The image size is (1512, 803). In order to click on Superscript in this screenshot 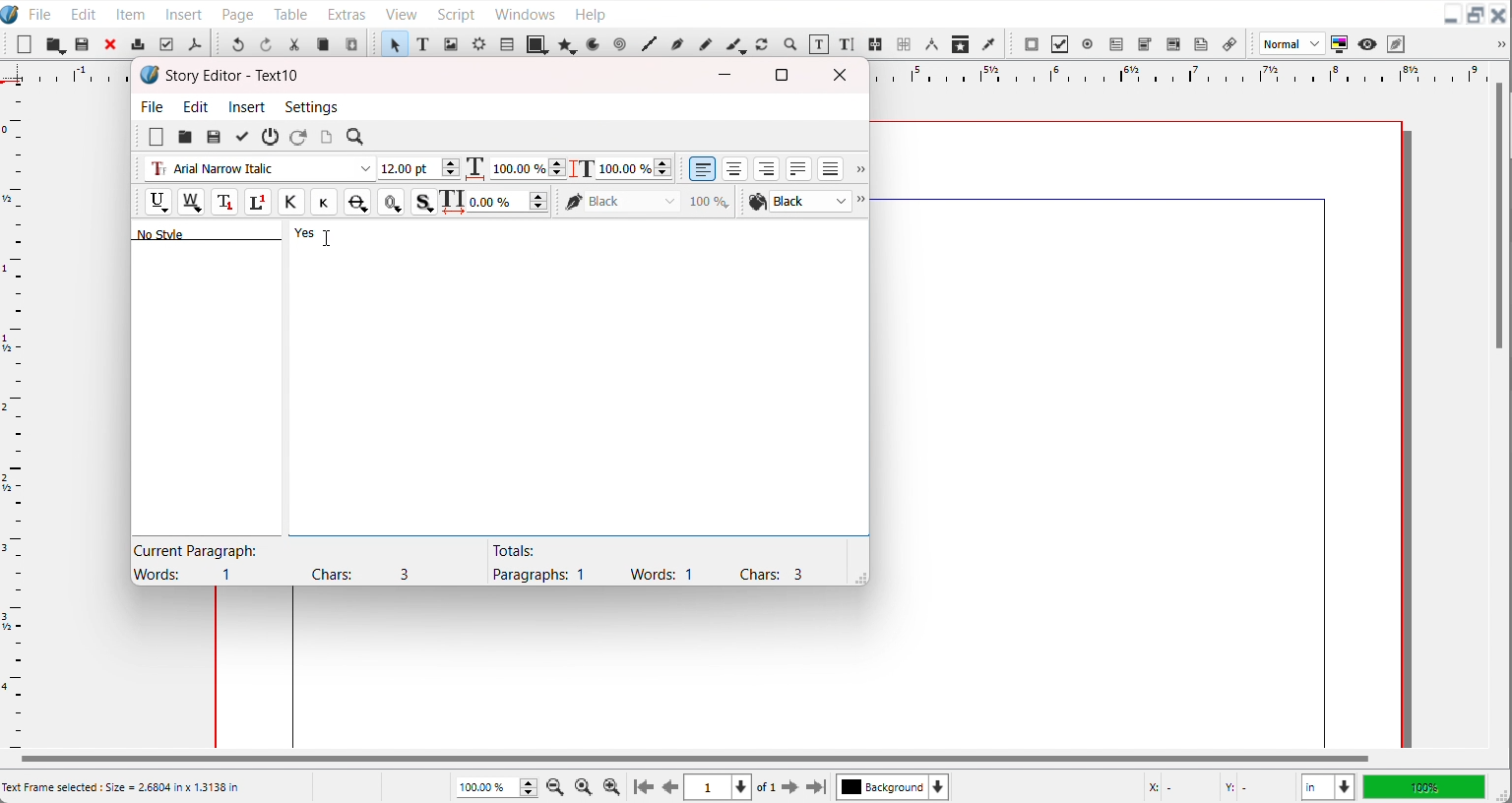, I will do `click(259, 203)`.